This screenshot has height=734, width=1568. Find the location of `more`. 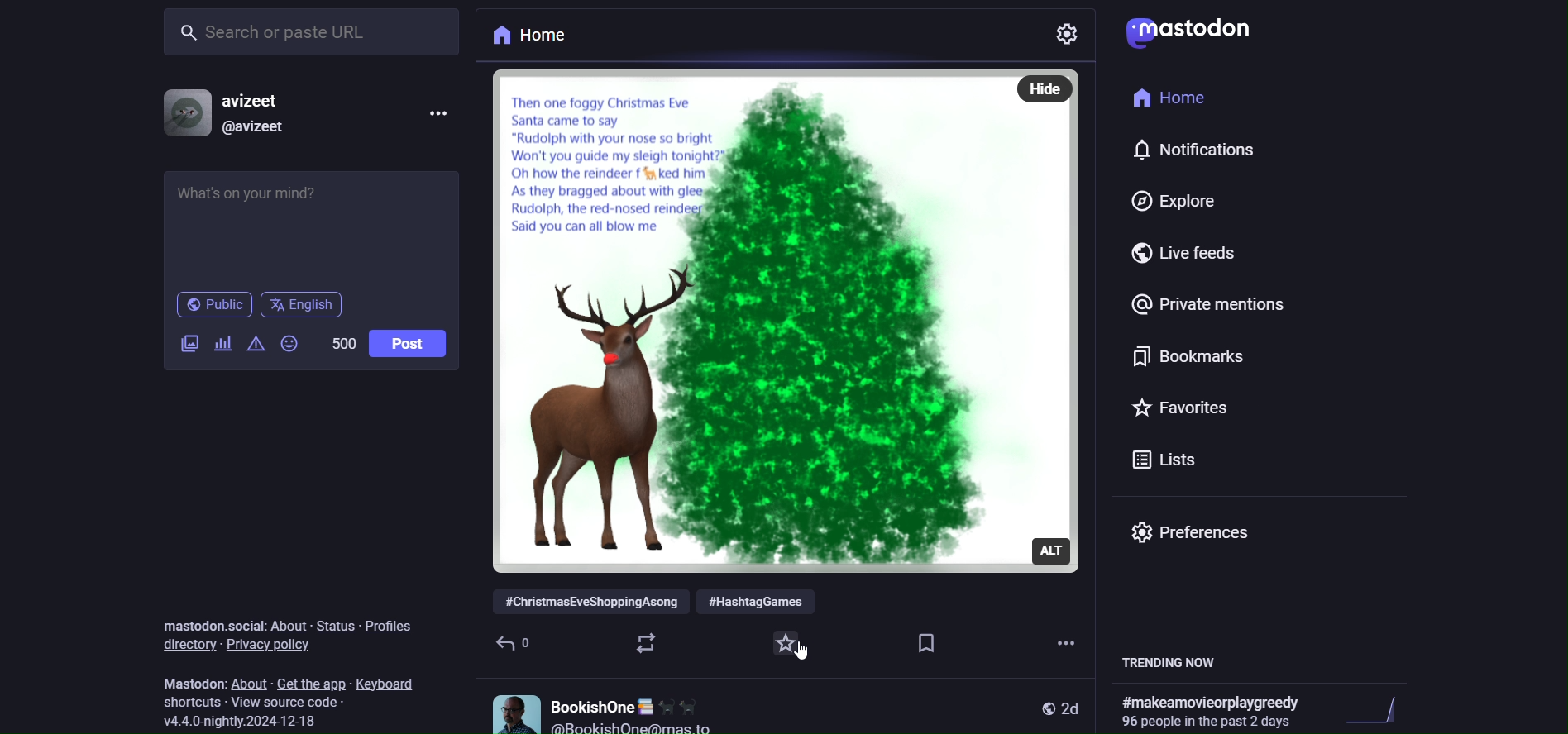

more is located at coordinates (1062, 633).